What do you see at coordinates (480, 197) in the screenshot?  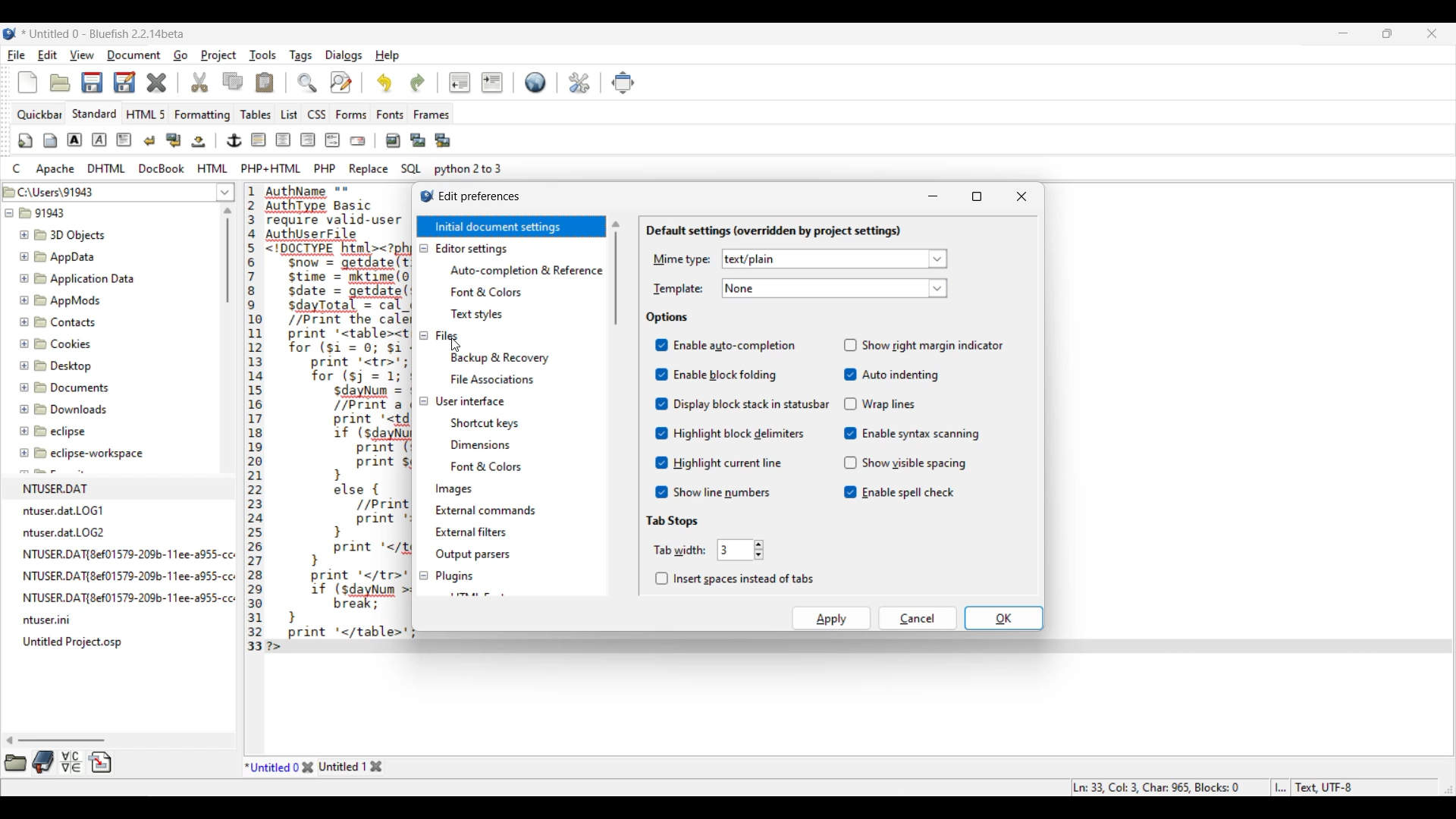 I see `Window title` at bounding box center [480, 197].